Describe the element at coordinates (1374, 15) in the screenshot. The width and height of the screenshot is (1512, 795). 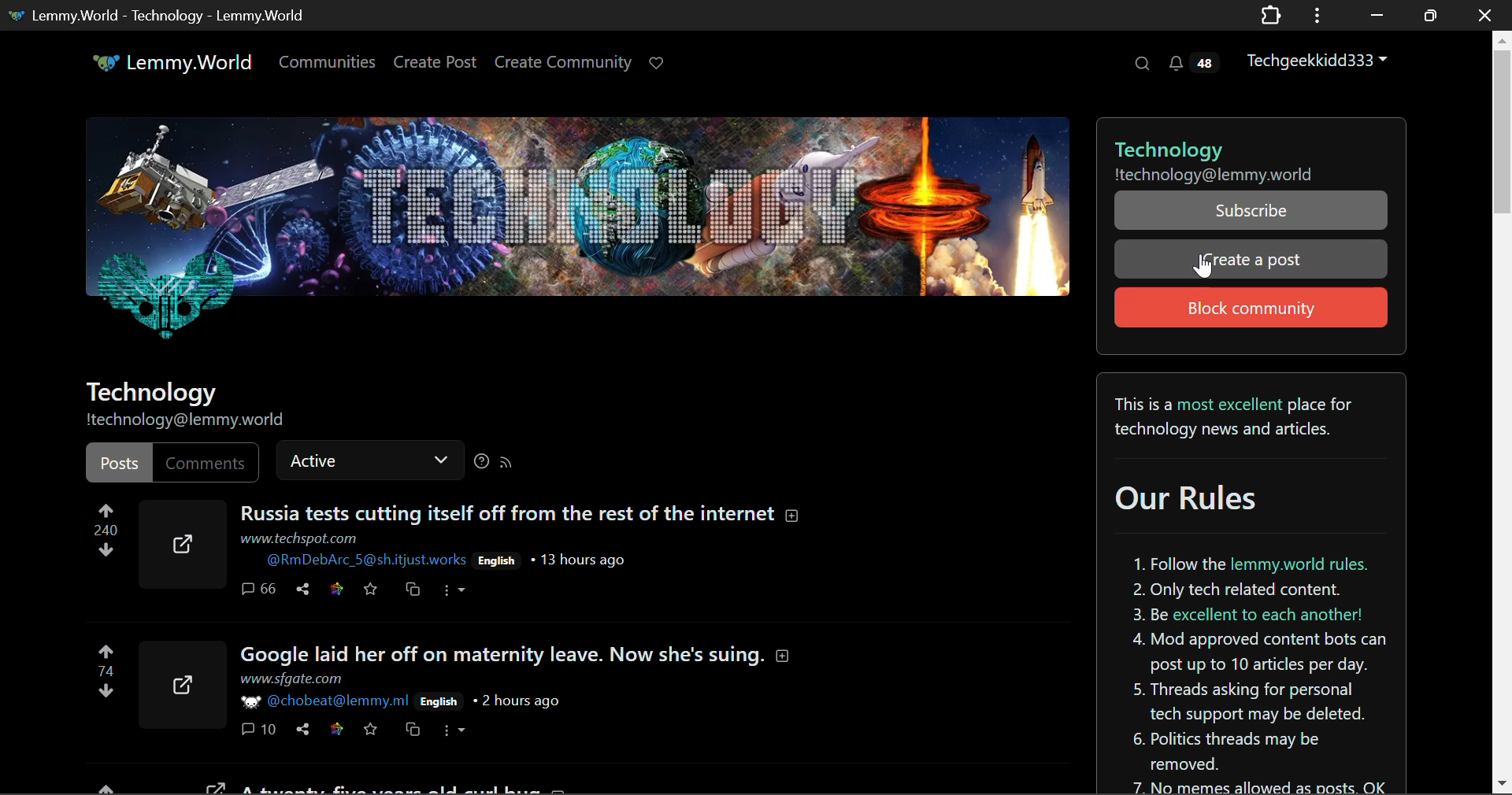
I see `Restore Down` at that location.